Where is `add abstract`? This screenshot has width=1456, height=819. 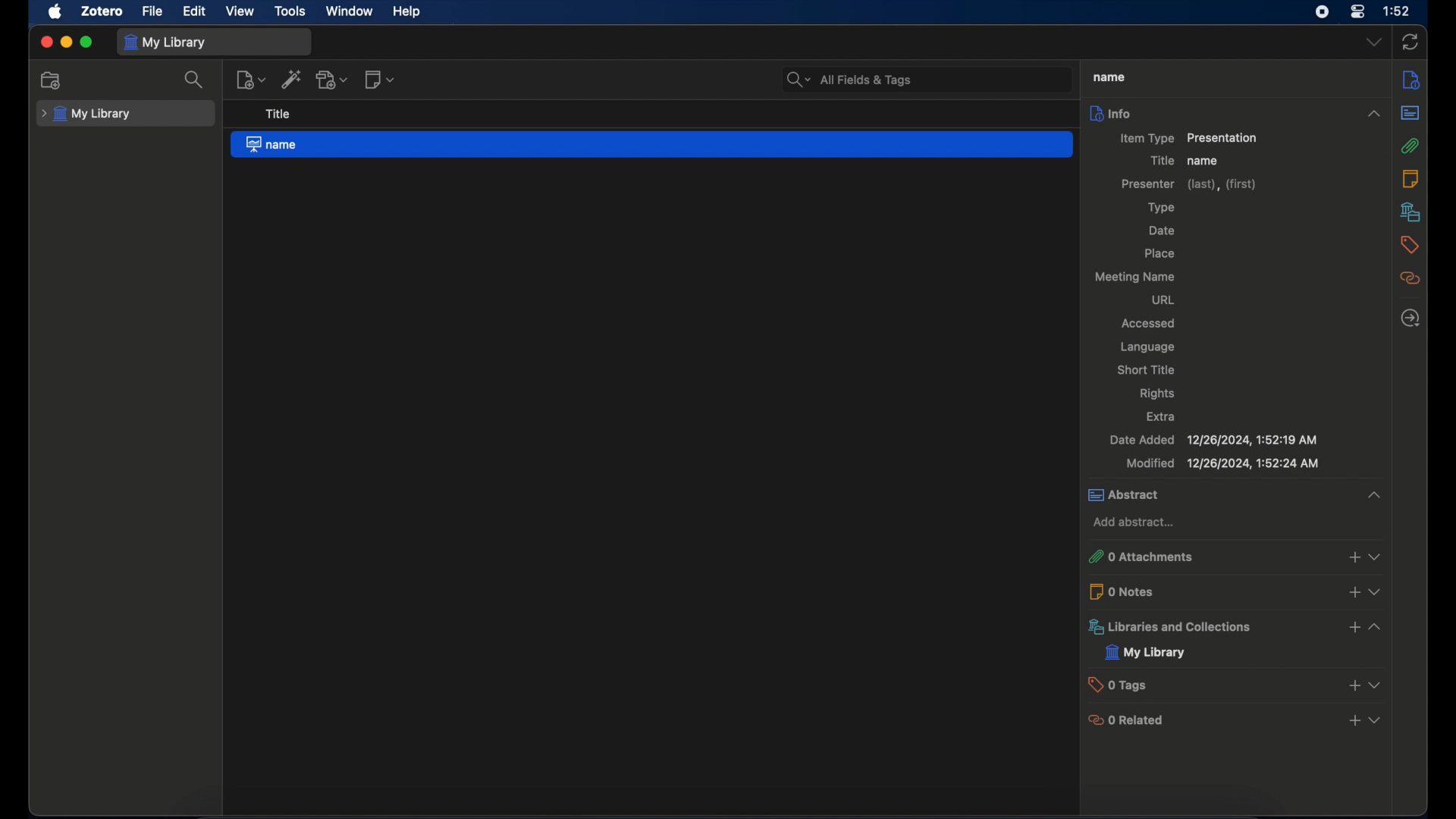 add abstract is located at coordinates (1136, 522).